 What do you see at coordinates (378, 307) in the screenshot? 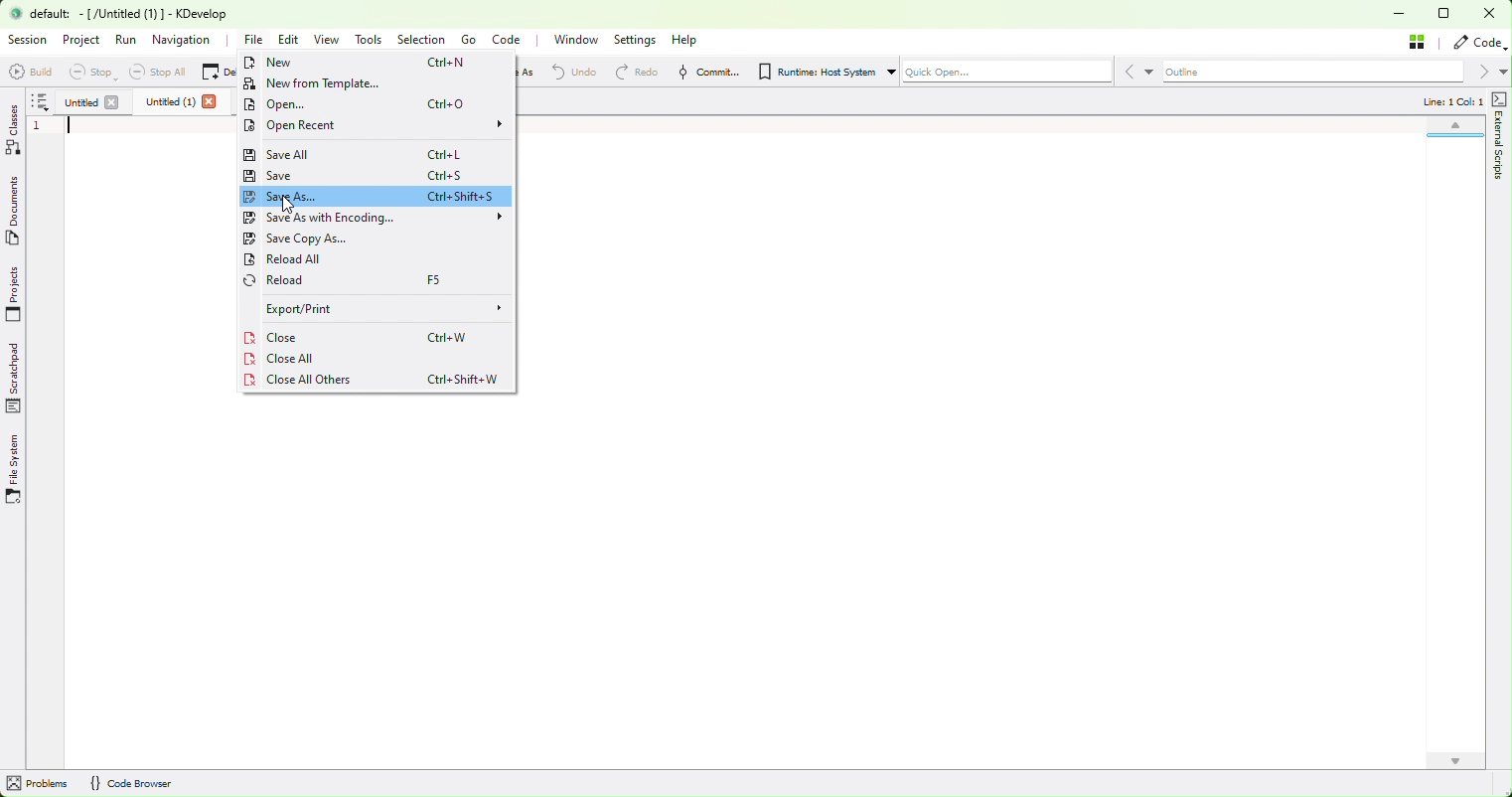
I see `Export/print` at bounding box center [378, 307].